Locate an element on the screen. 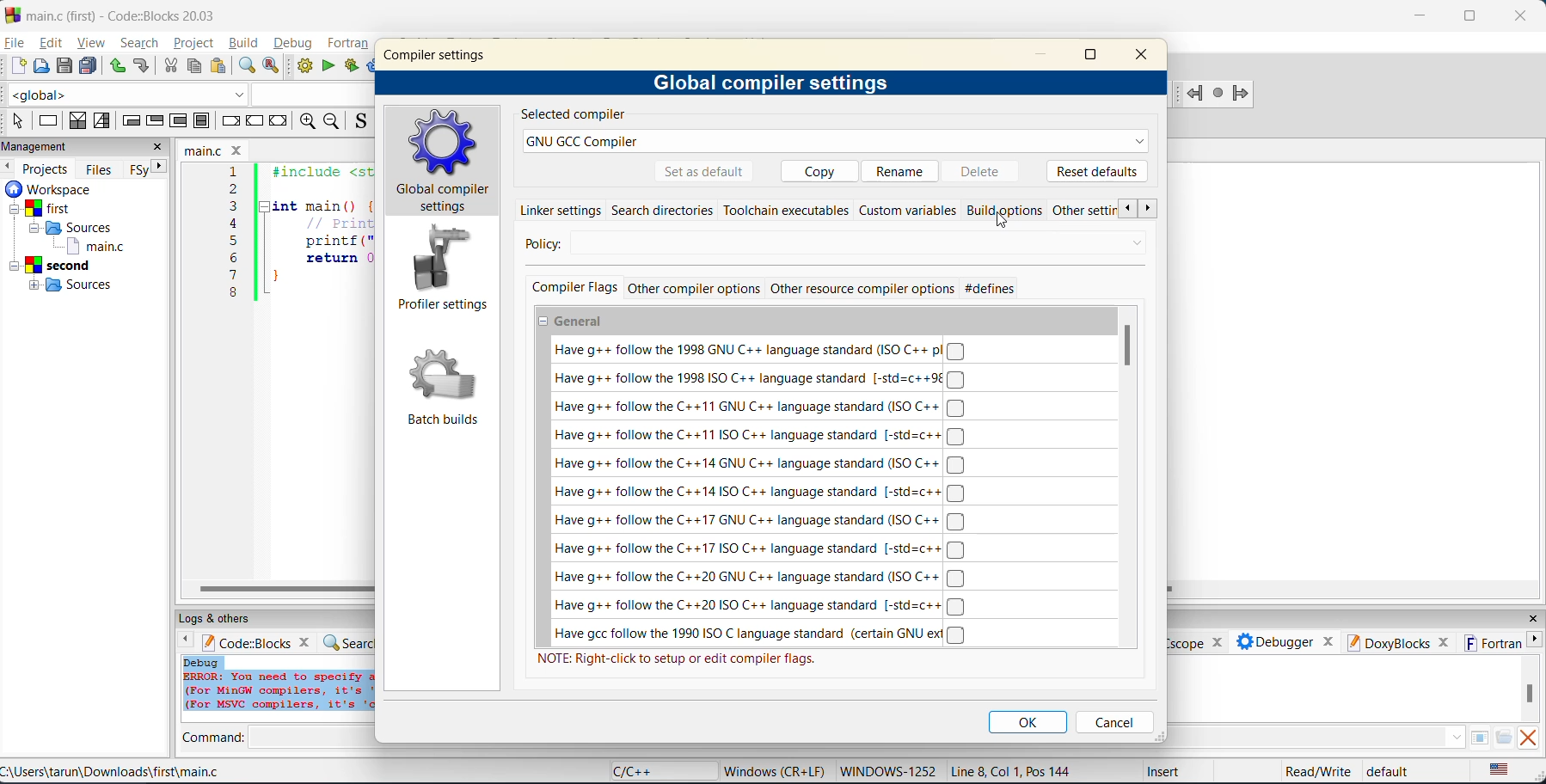 The image size is (1546, 784). view is located at coordinates (92, 42).